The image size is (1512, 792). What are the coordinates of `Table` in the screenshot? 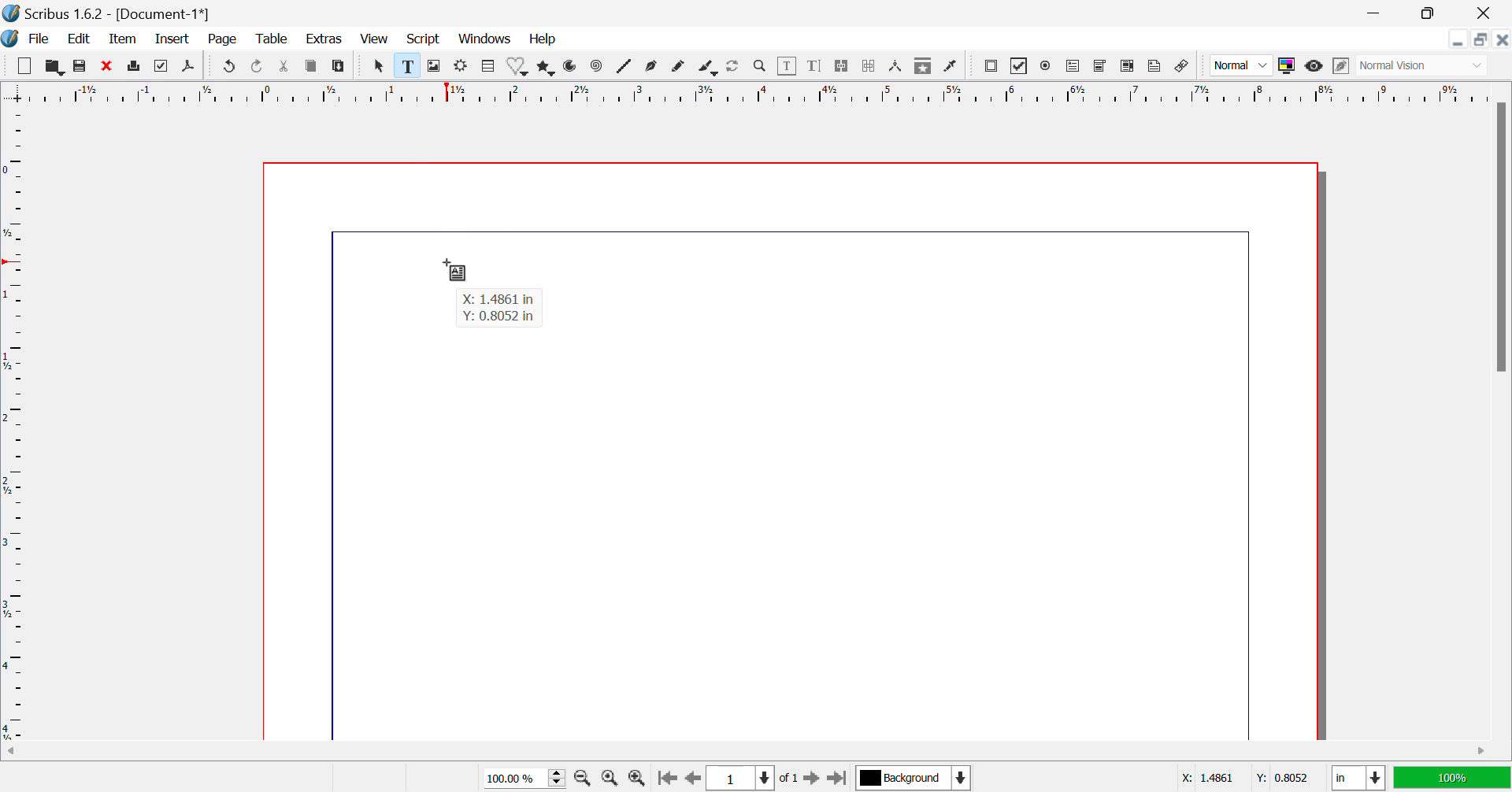 It's located at (272, 41).